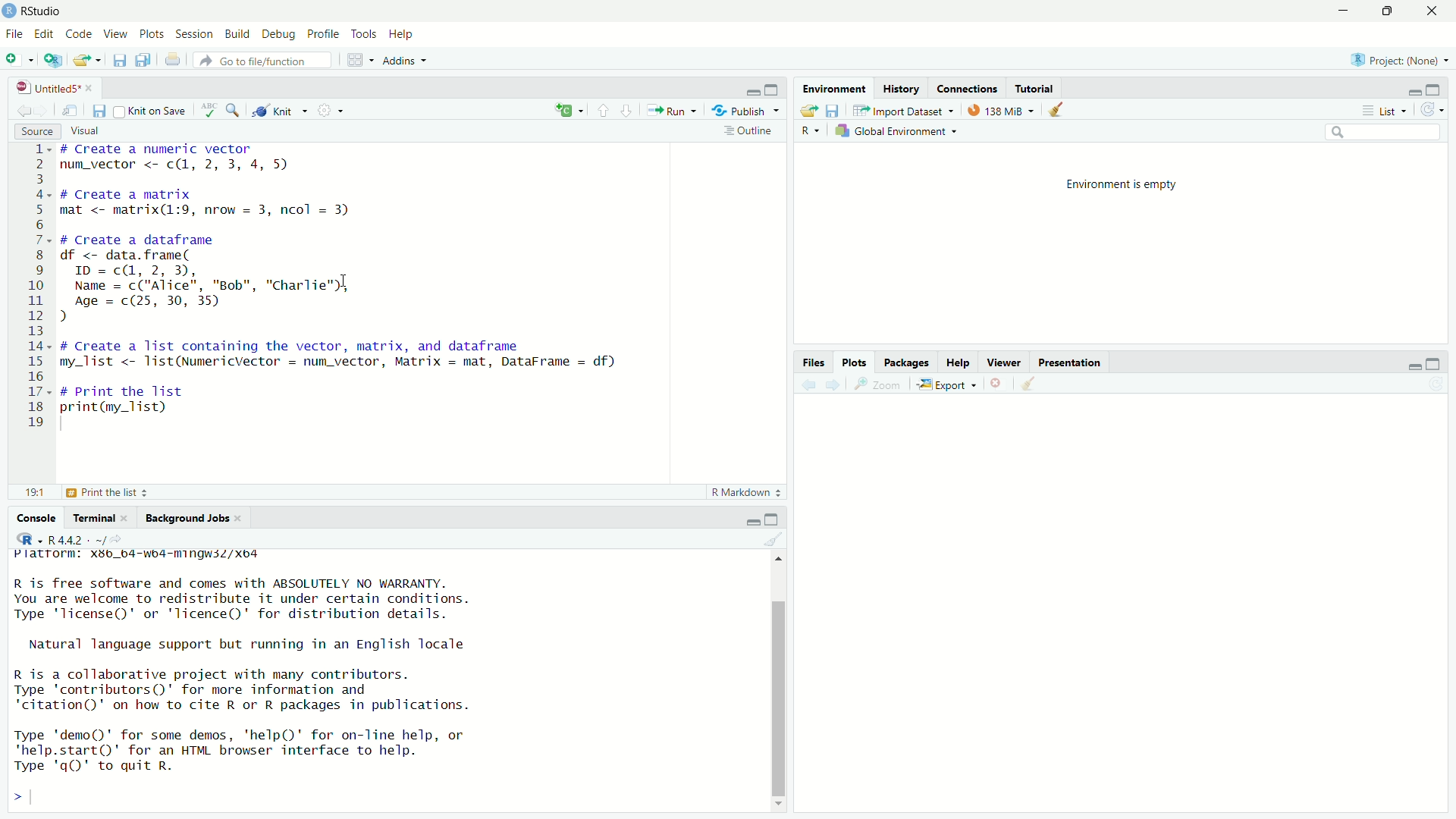  What do you see at coordinates (740, 91) in the screenshot?
I see `minimise` at bounding box center [740, 91].